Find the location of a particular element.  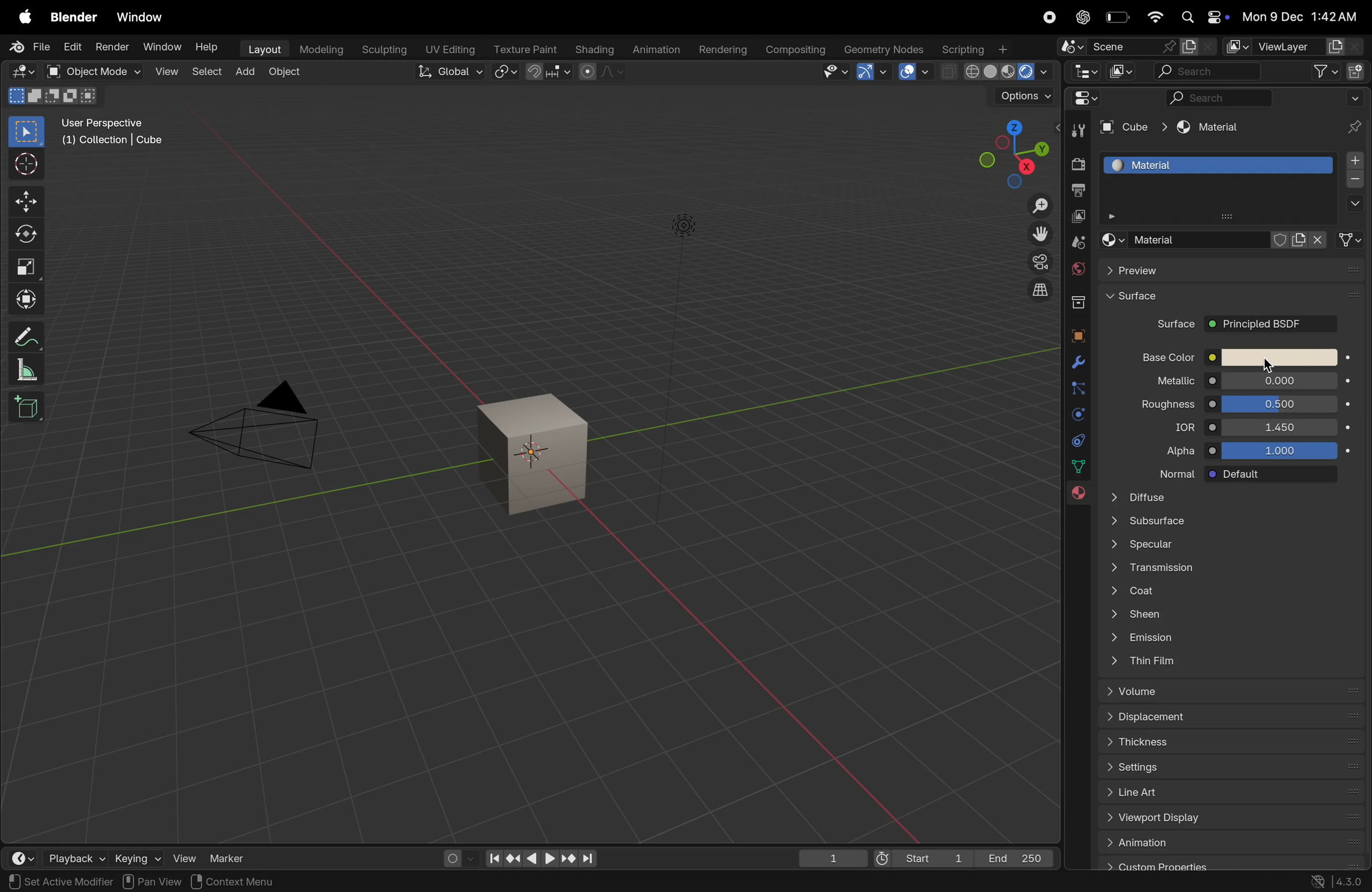

physics is located at coordinates (1076, 414).